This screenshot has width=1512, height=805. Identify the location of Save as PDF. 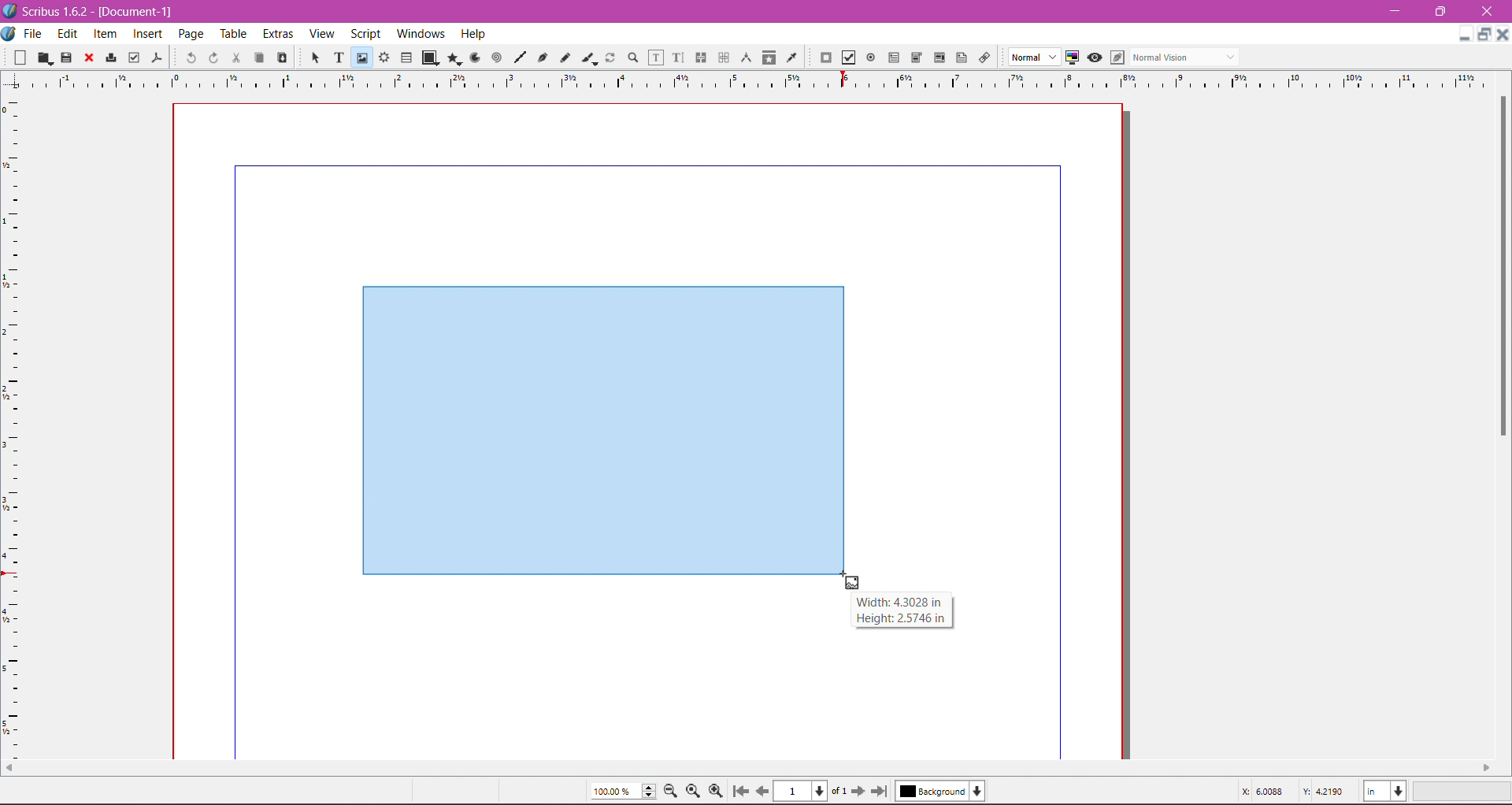
(159, 57).